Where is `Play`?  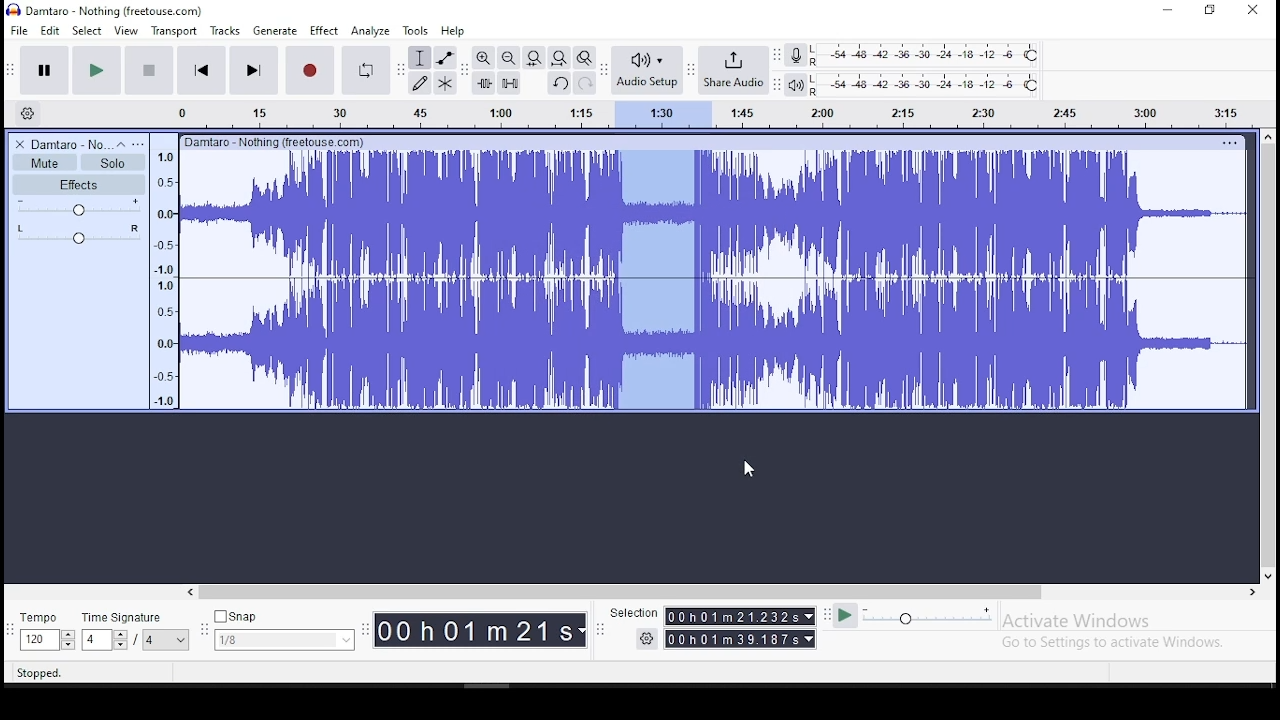 Play is located at coordinates (845, 616).